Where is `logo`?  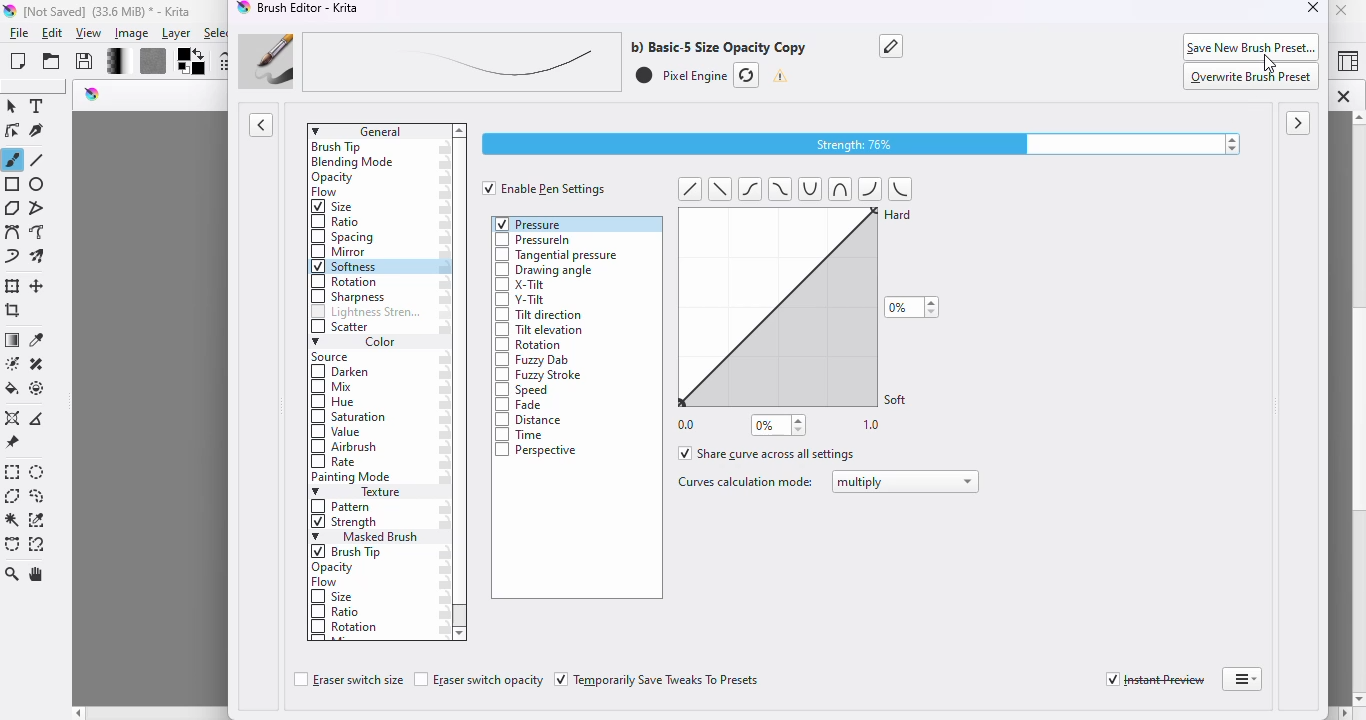 logo is located at coordinates (93, 94).